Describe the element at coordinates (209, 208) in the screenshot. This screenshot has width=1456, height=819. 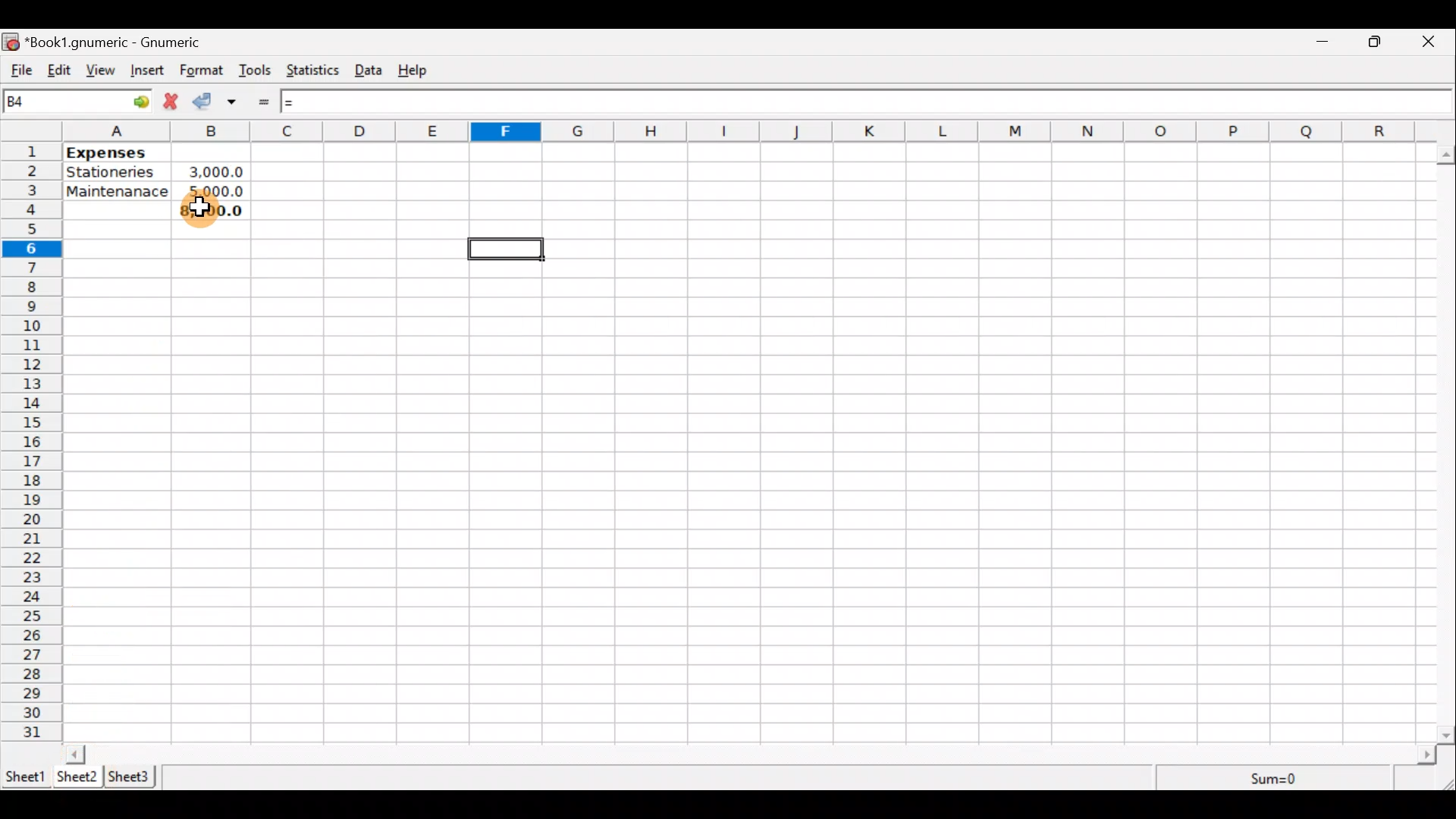
I see `8000` at that location.